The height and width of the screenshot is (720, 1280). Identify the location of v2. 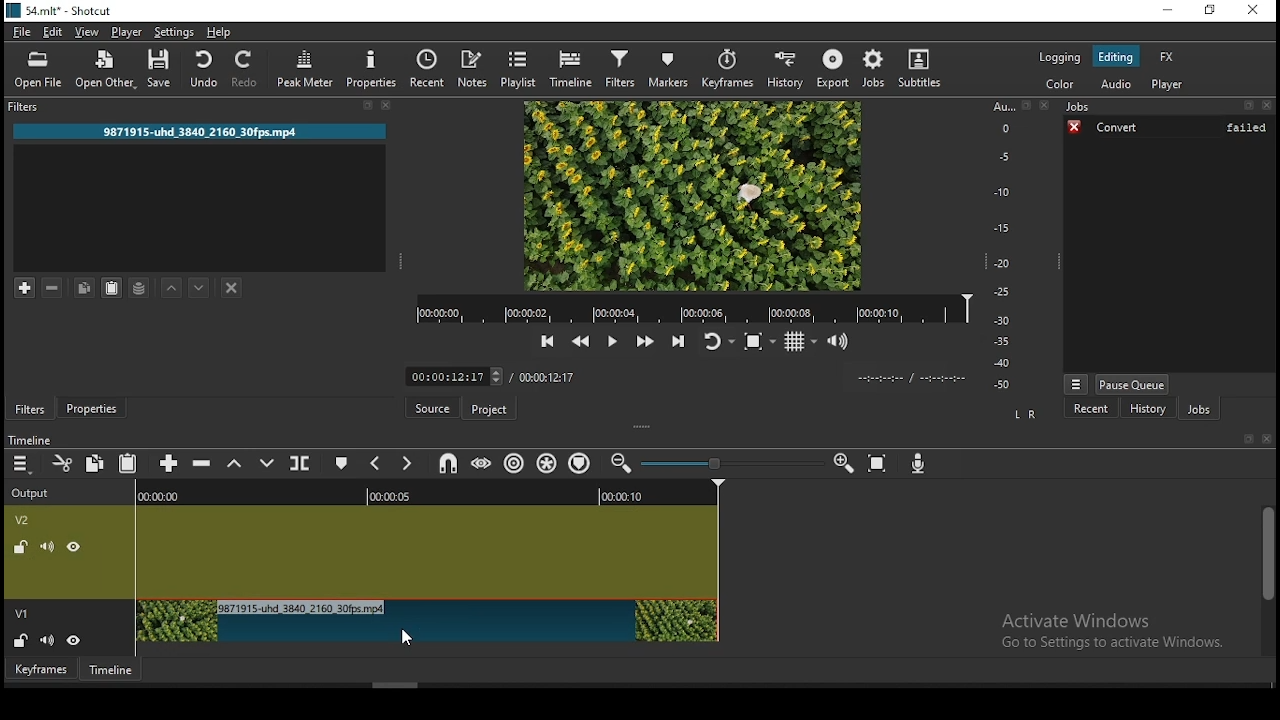
(26, 522).